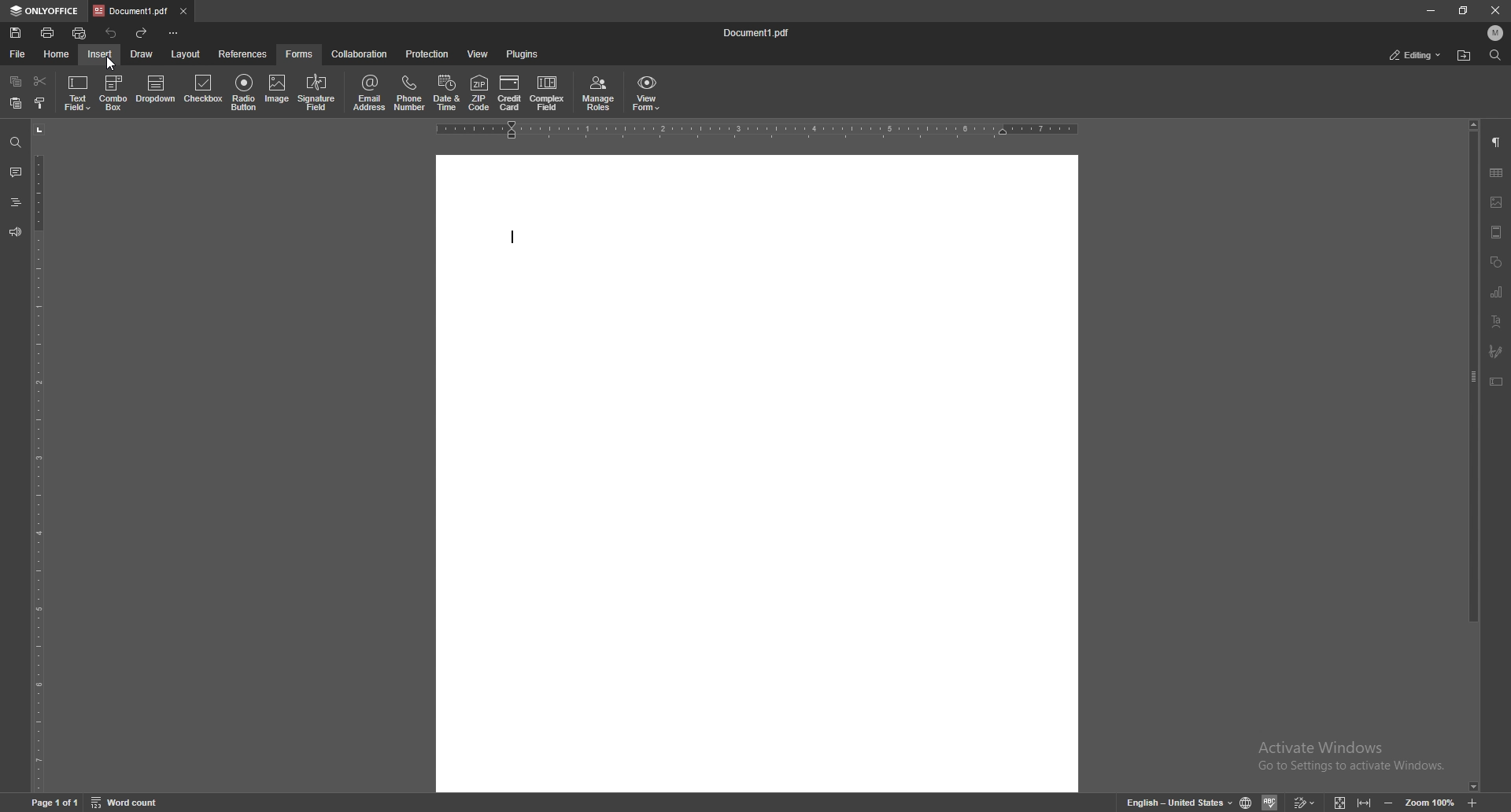  What do you see at coordinates (369, 94) in the screenshot?
I see `email address` at bounding box center [369, 94].